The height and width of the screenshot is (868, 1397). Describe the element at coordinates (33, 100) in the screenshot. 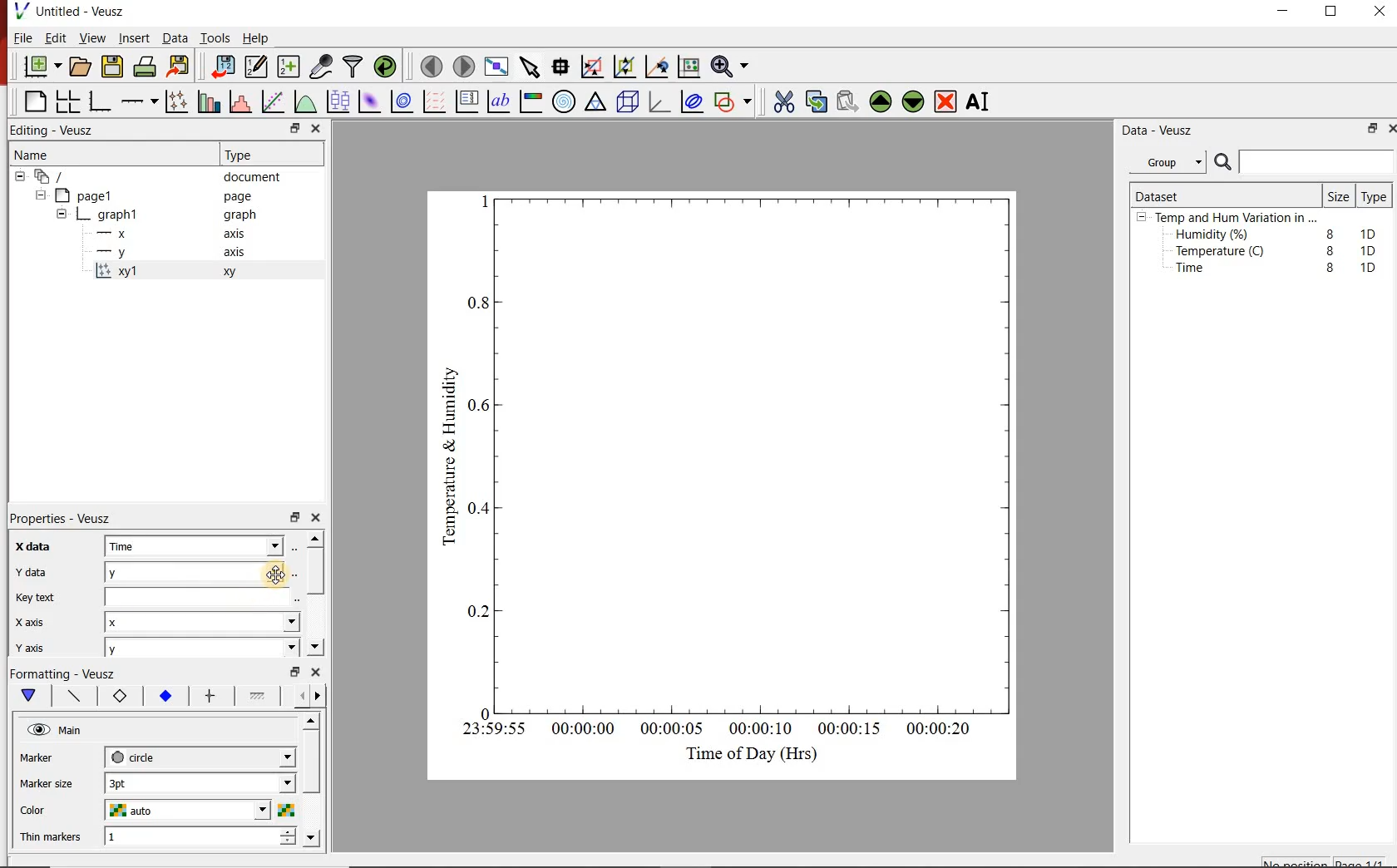

I see `blank page` at that location.